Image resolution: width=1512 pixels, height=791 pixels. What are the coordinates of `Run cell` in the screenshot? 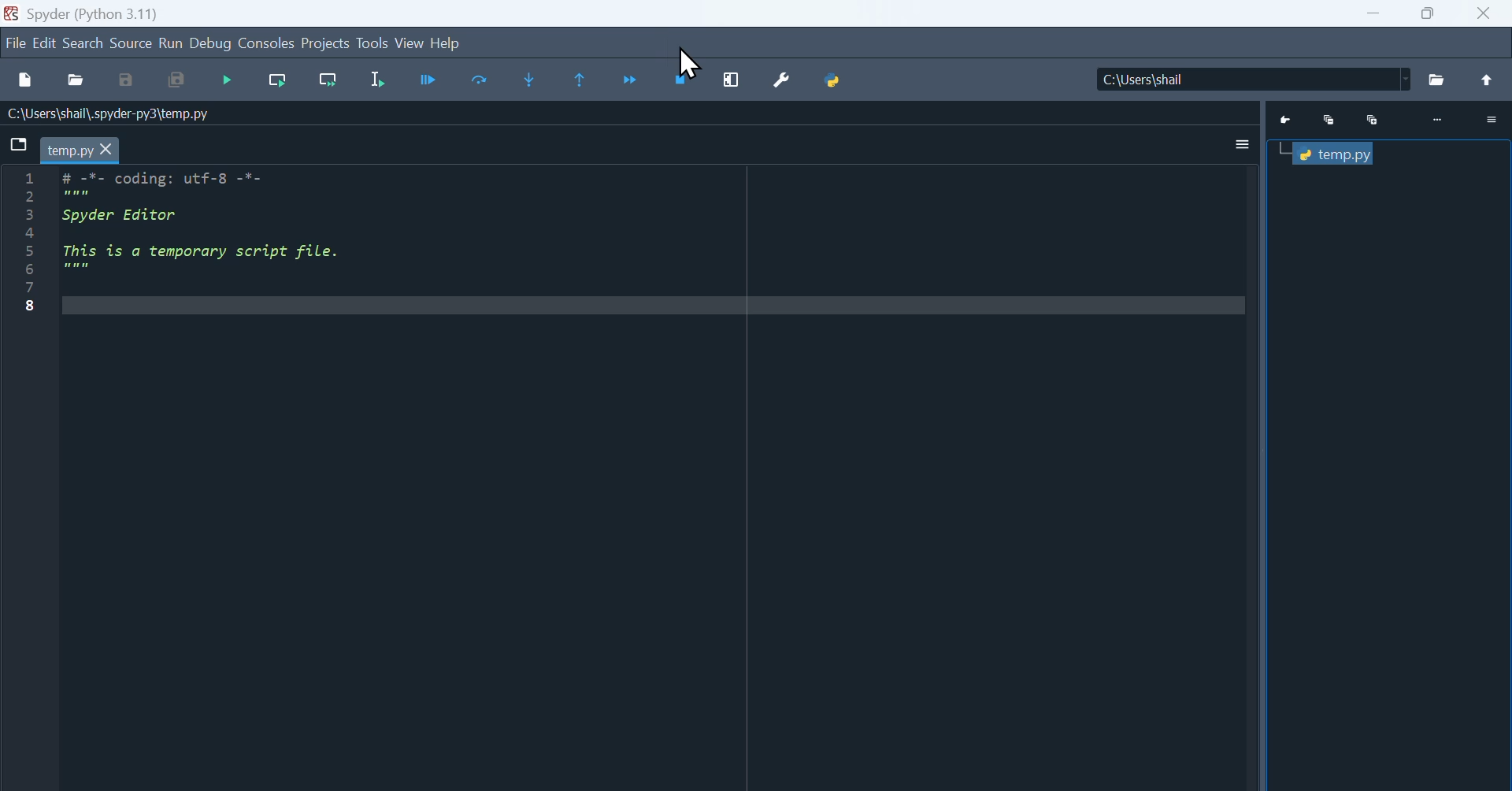 It's located at (428, 83).